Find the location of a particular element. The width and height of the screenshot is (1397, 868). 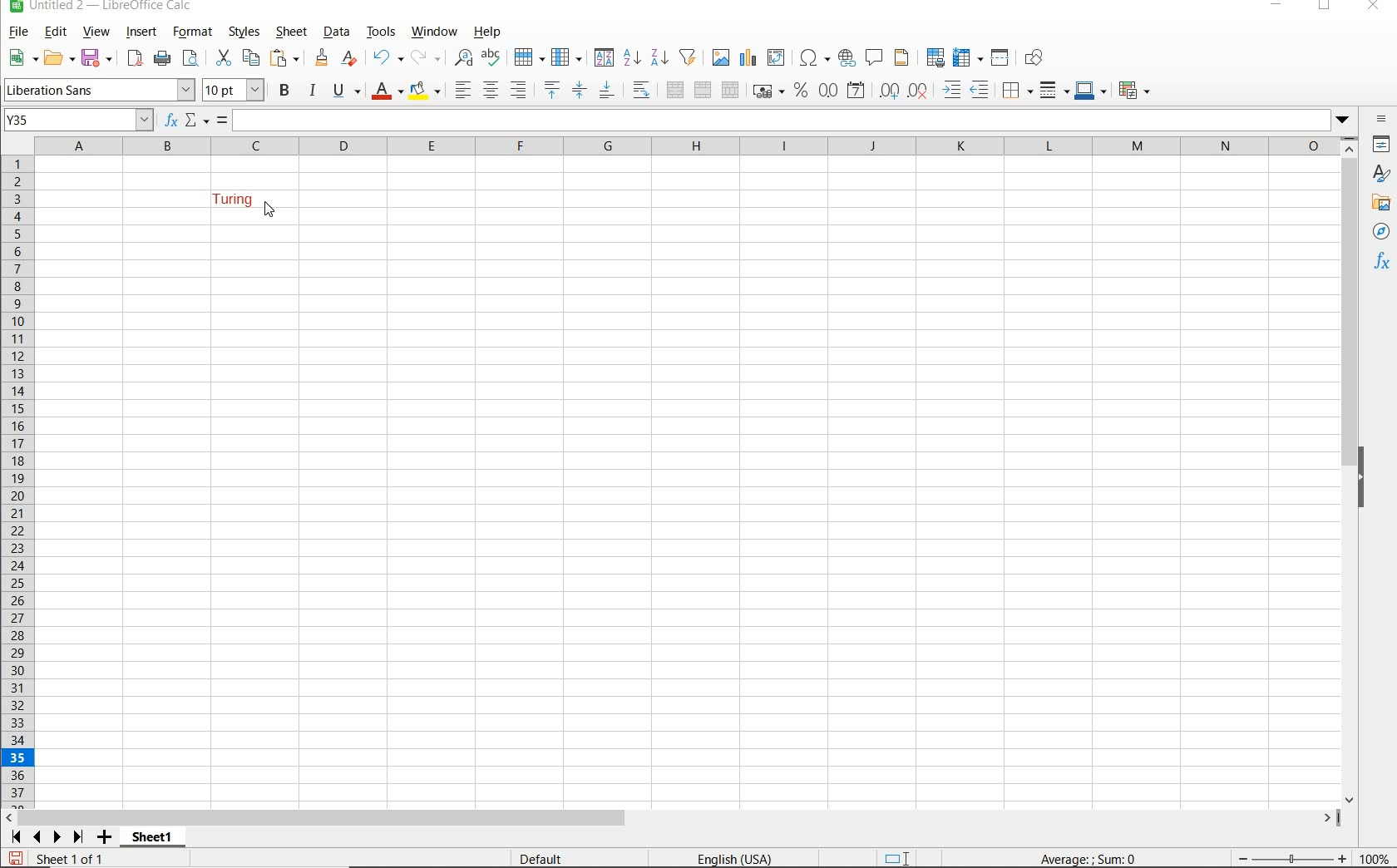

SCROLL is located at coordinates (45, 837).